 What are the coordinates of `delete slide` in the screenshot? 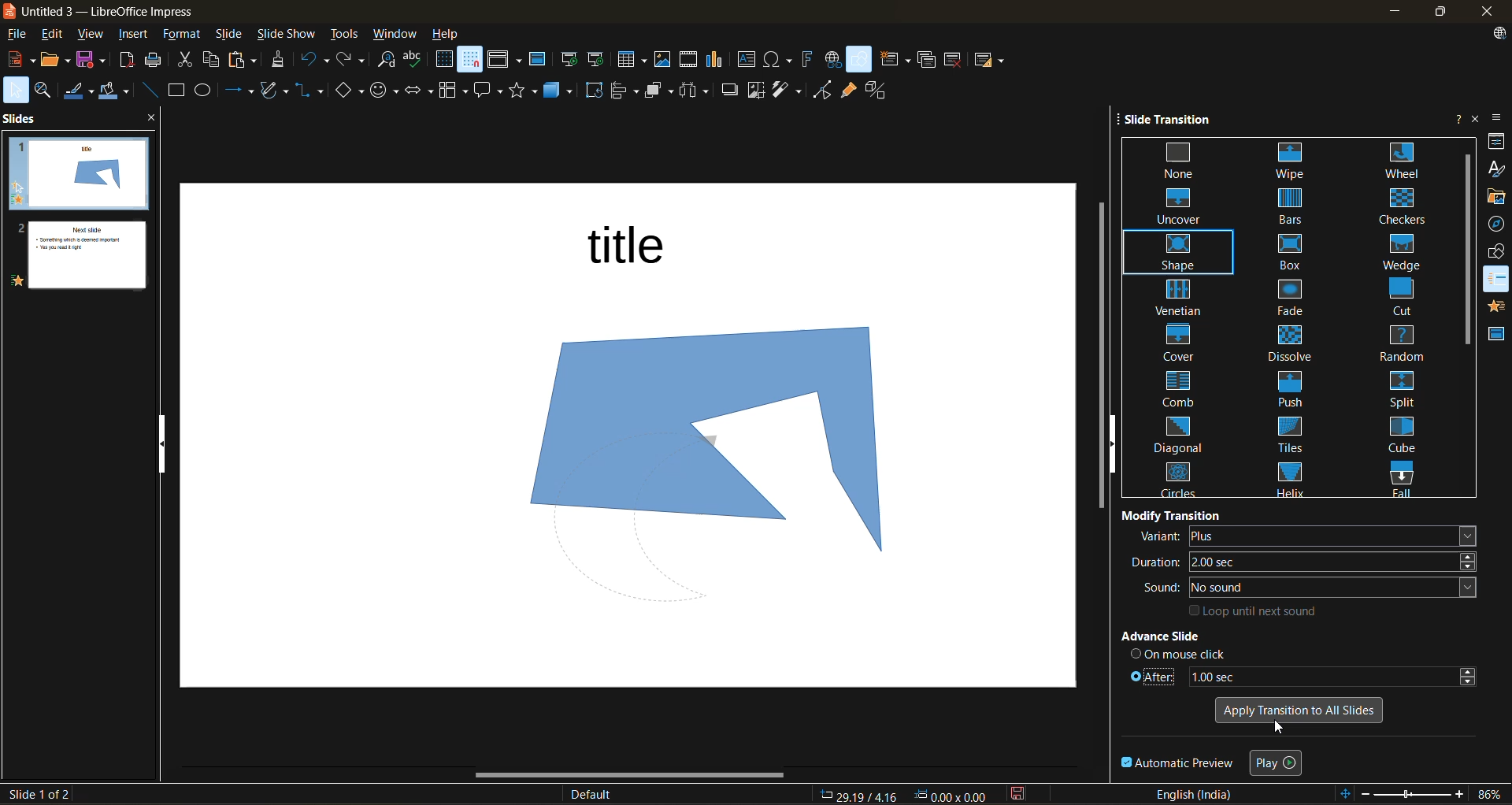 It's located at (954, 59).